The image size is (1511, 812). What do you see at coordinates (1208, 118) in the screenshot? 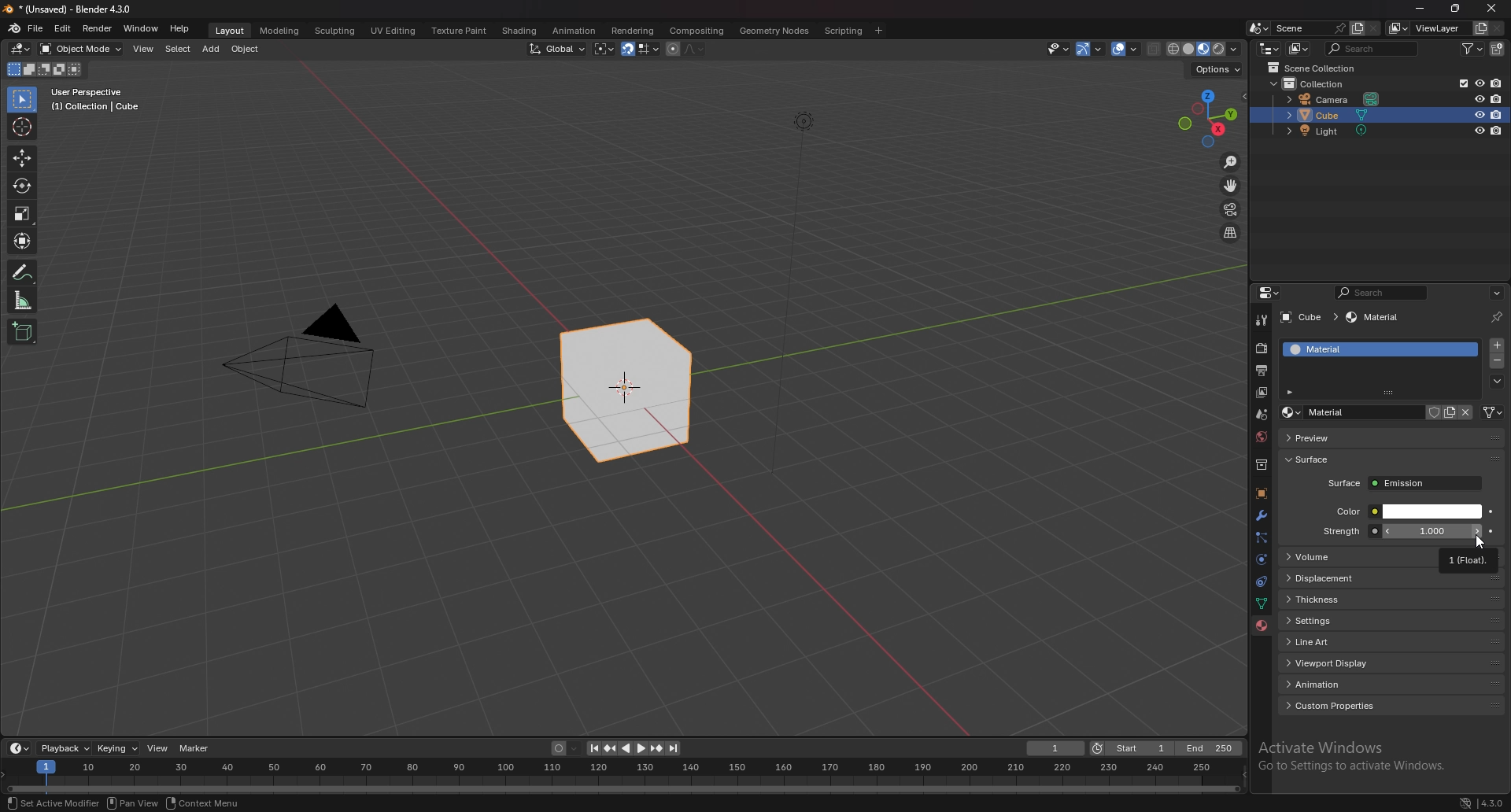
I see `preset viewpoint` at bounding box center [1208, 118].